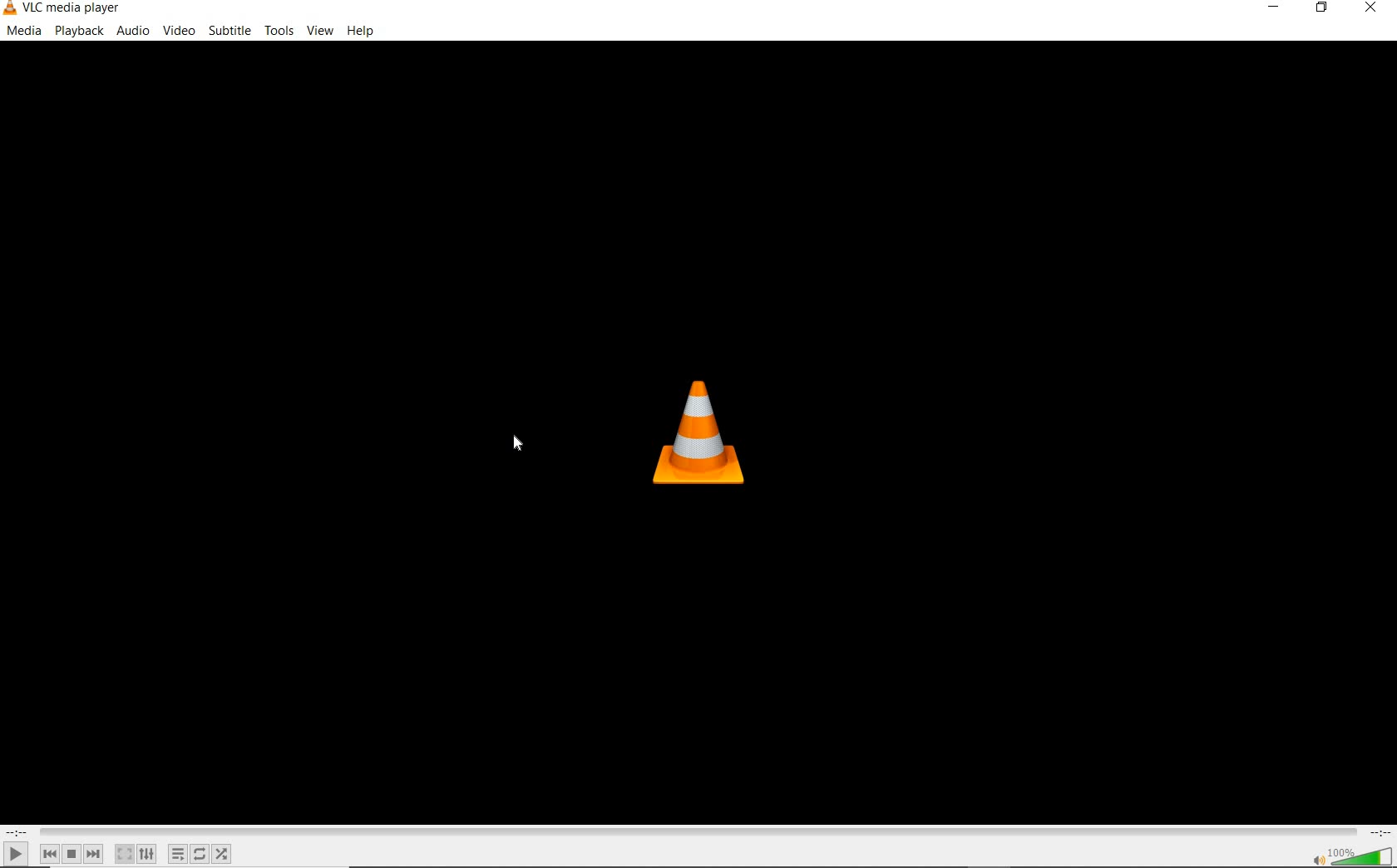  What do you see at coordinates (17, 832) in the screenshot?
I see `elapsed time` at bounding box center [17, 832].